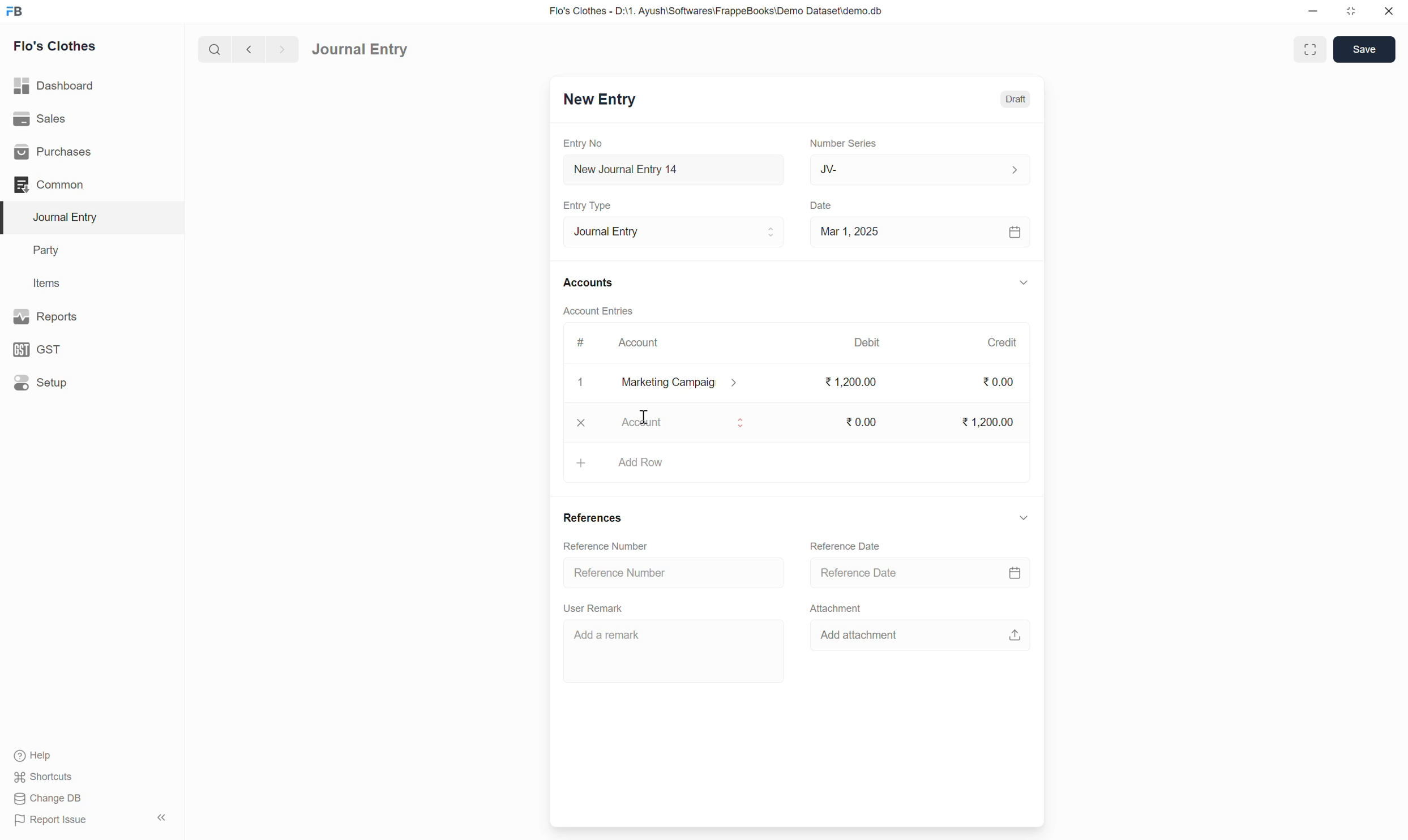 The image size is (1408, 840). Describe the element at coordinates (161, 818) in the screenshot. I see `<<` at that location.